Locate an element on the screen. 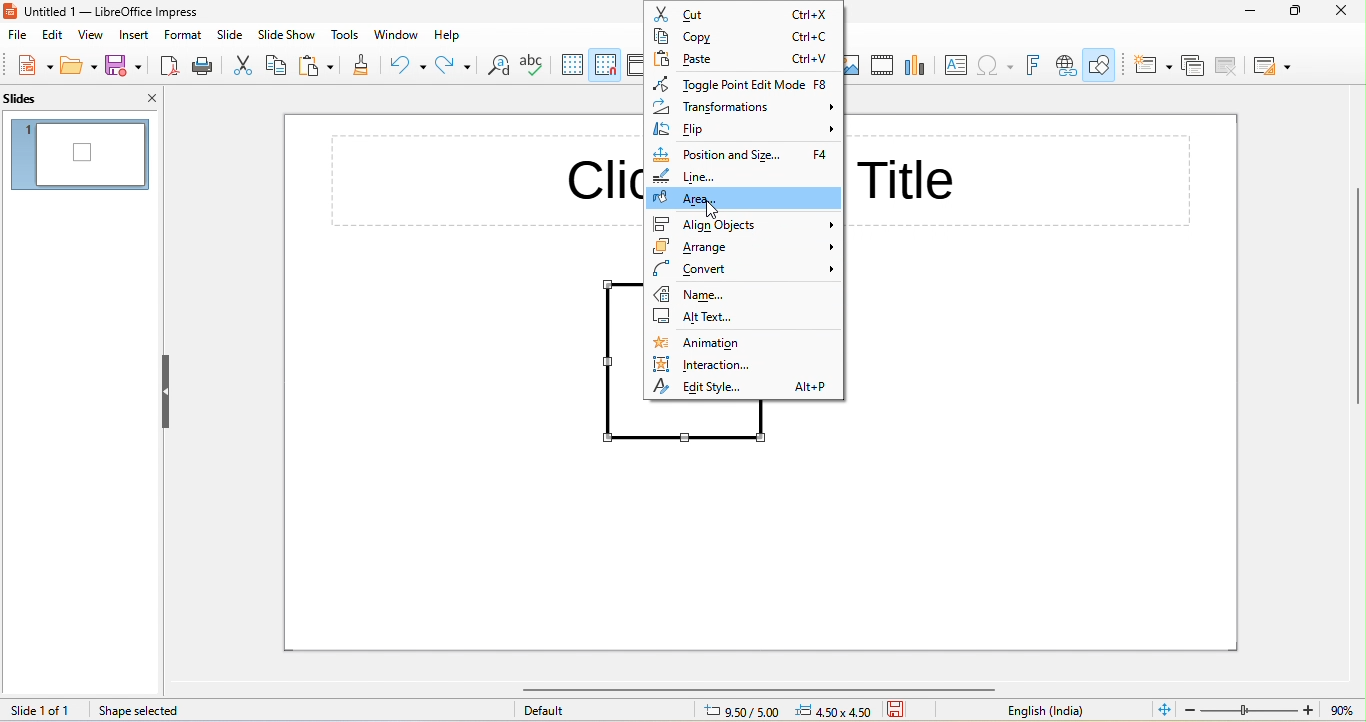  redo is located at coordinates (453, 63).